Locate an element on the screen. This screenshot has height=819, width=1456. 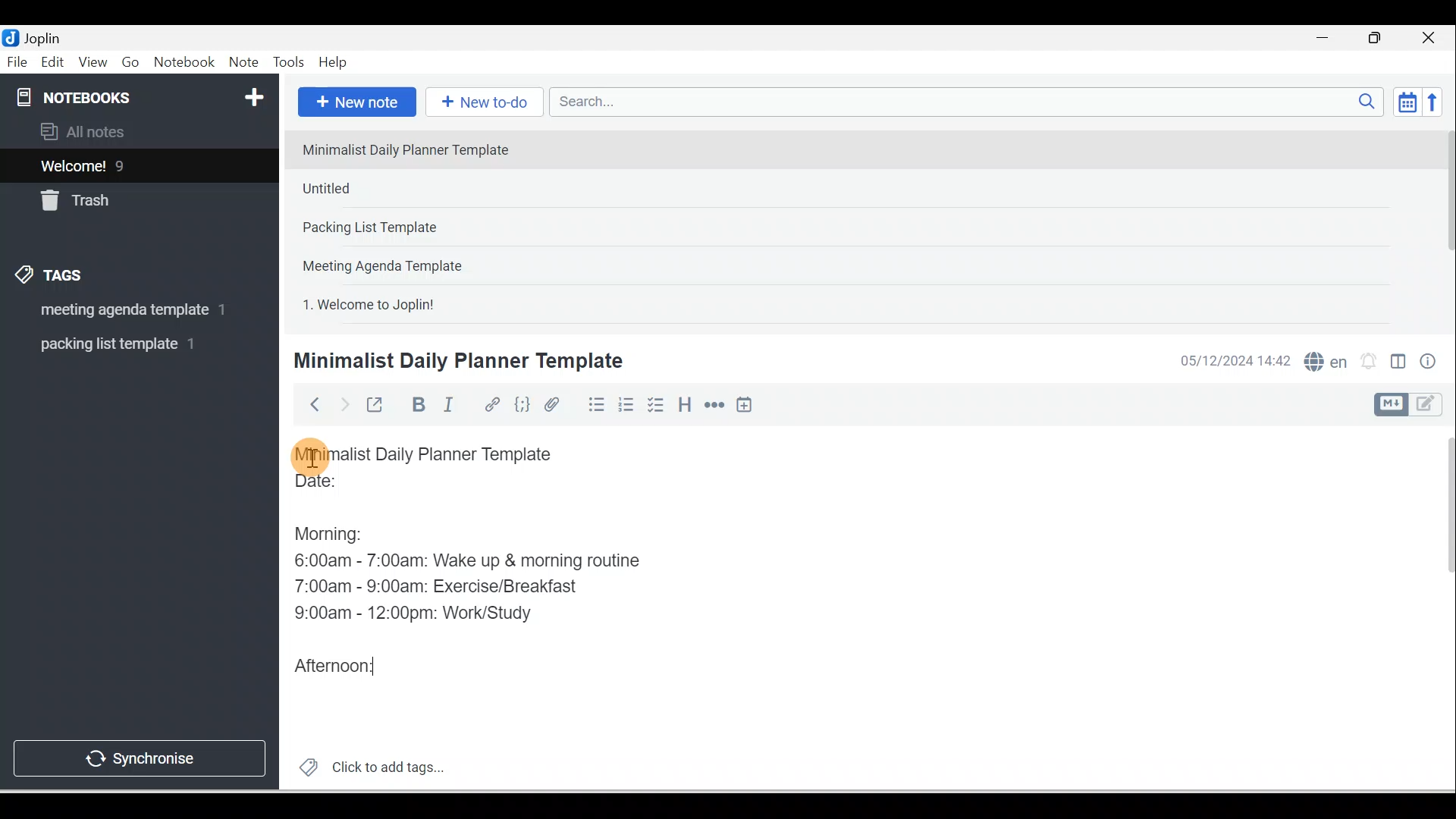
Go is located at coordinates (133, 63).